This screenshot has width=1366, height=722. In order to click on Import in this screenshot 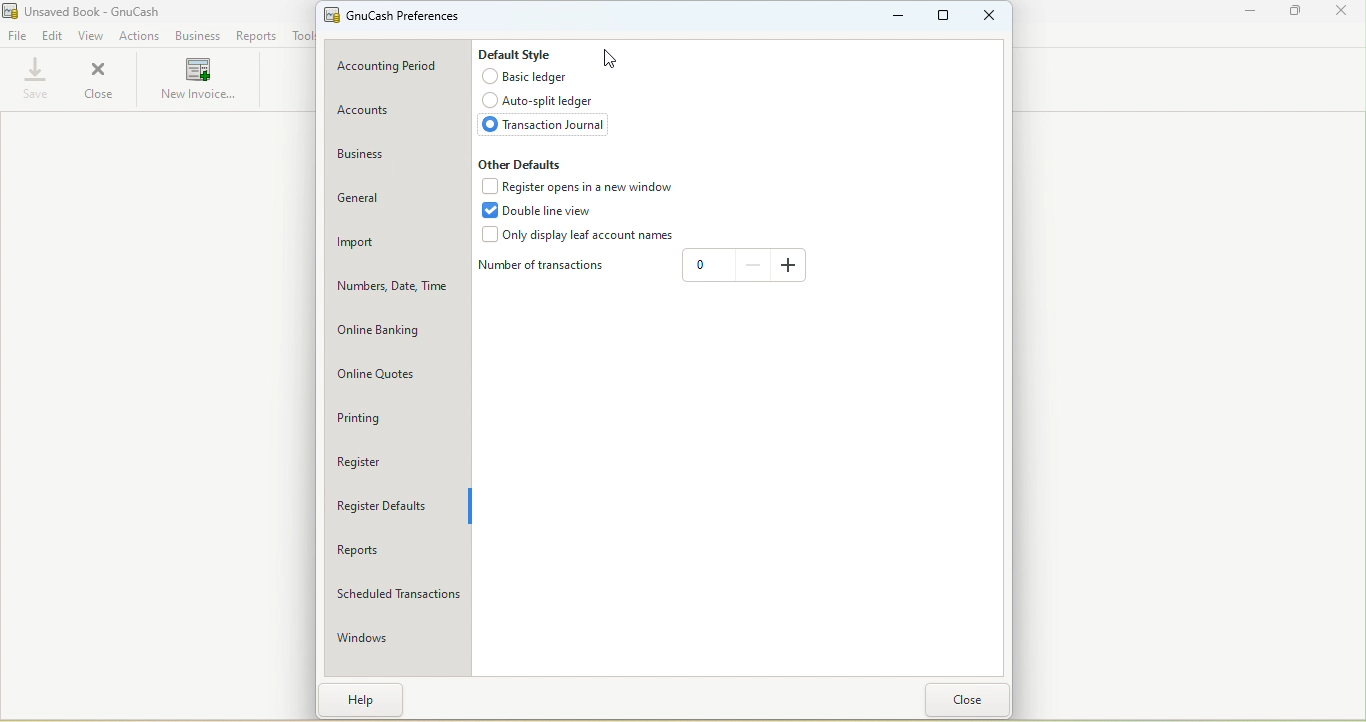, I will do `click(392, 245)`.